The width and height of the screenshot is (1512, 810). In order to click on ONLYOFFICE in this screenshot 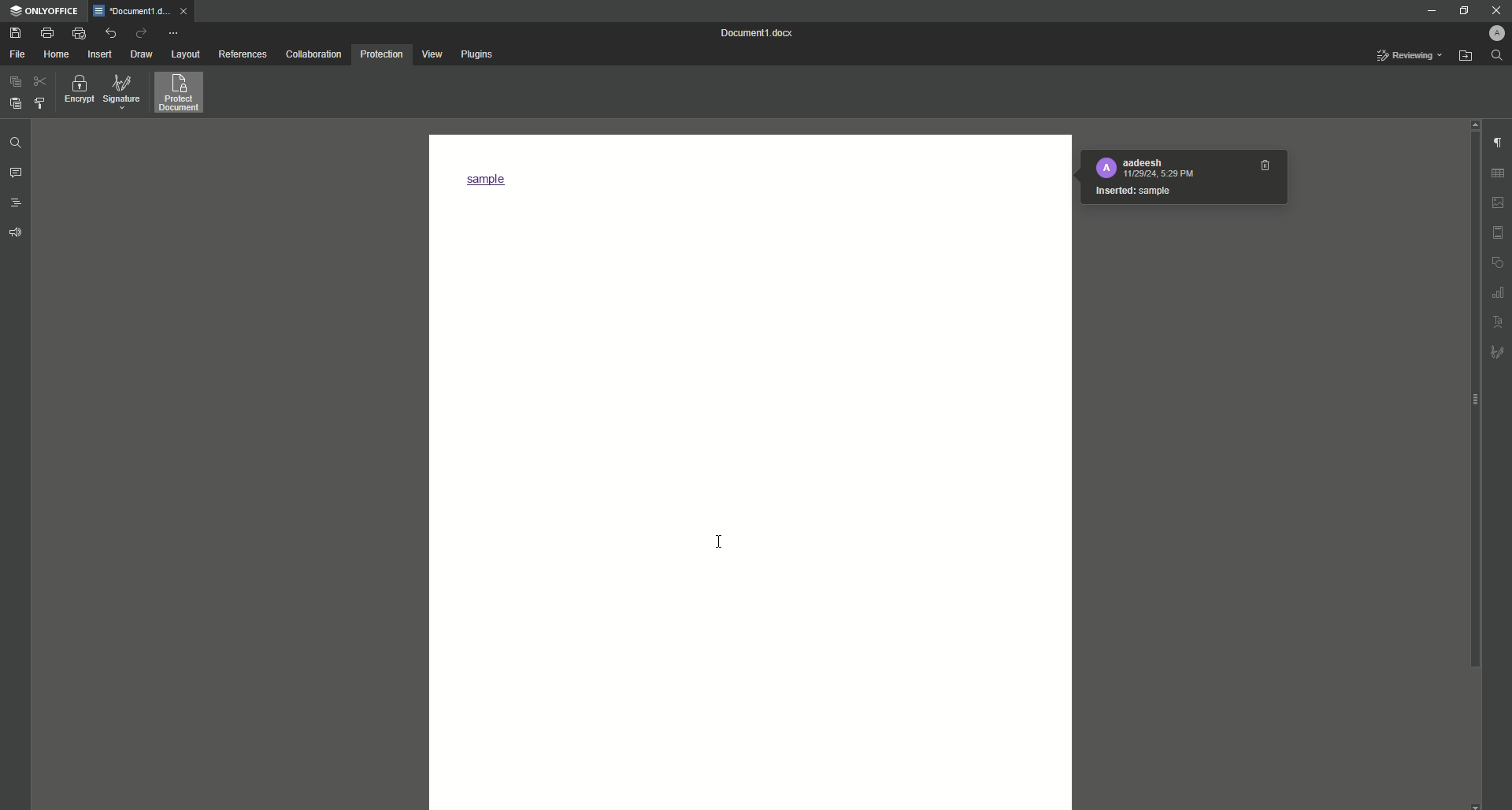, I will do `click(45, 10)`.